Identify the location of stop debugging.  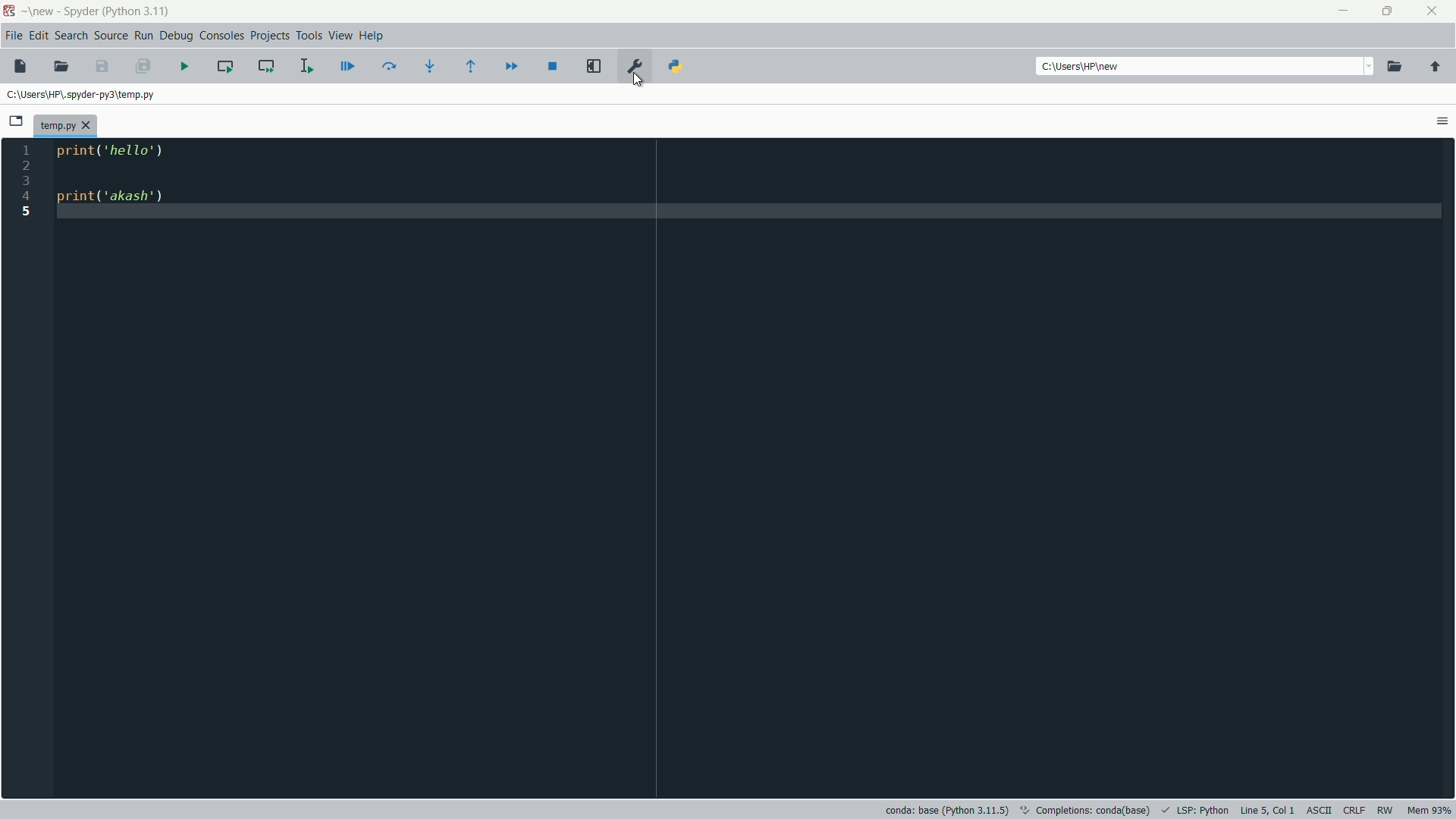
(554, 66).